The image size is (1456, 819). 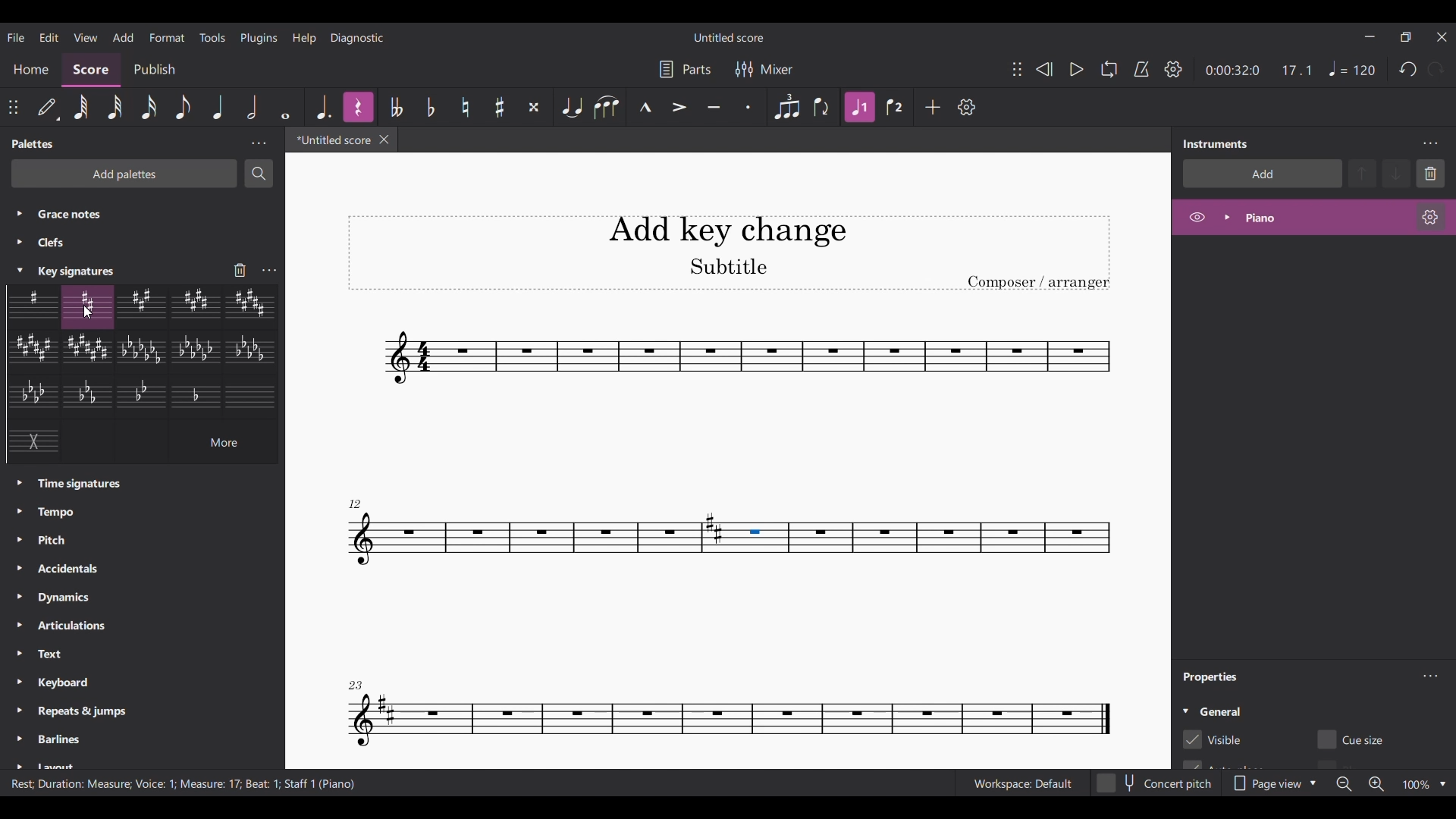 What do you see at coordinates (386, 710) in the screenshot?
I see `Add to due addition of key signature` at bounding box center [386, 710].